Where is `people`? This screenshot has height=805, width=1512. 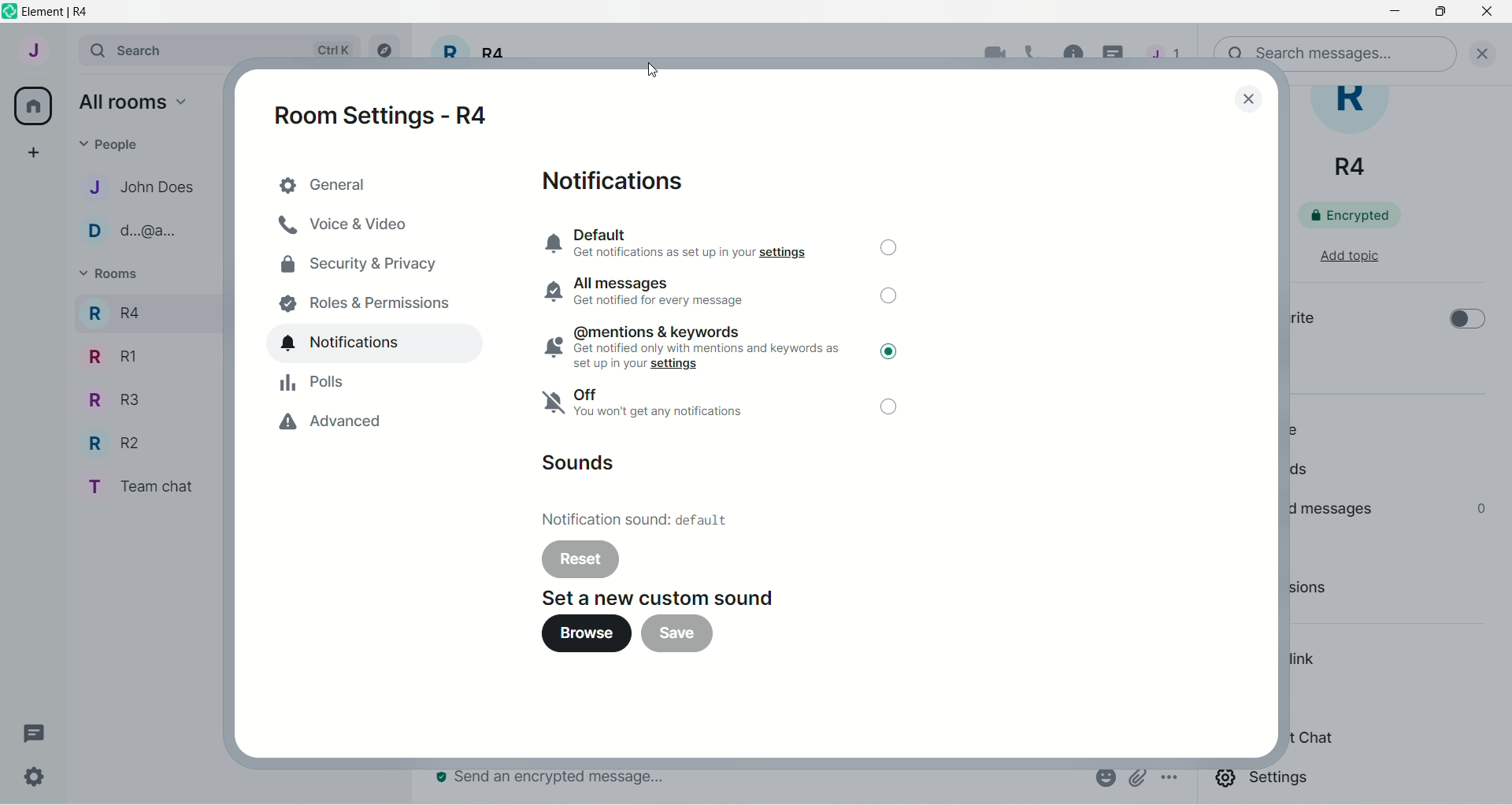
people is located at coordinates (115, 143).